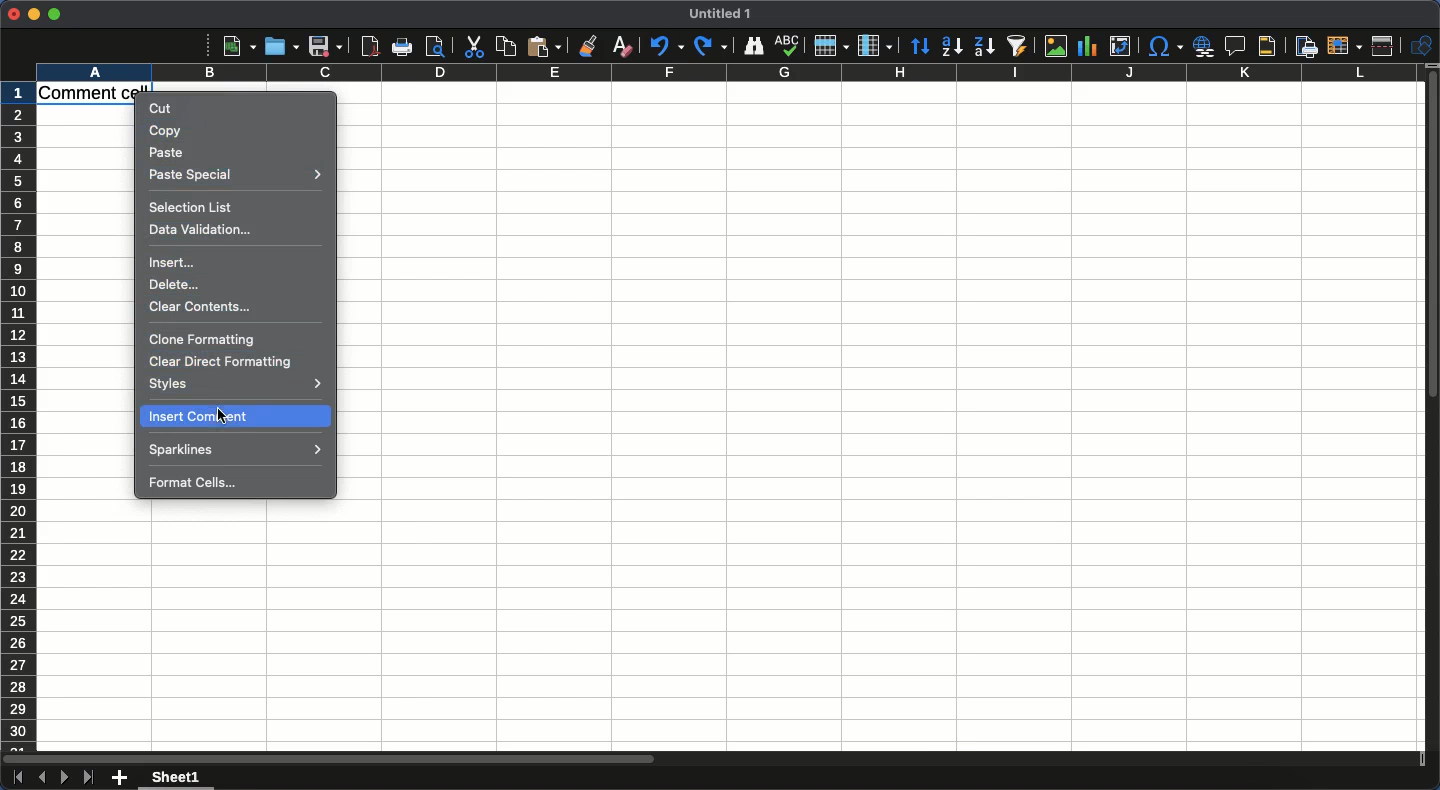 The width and height of the screenshot is (1440, 790). What do you see at coordinates (367, 46) in the screenshot?
I see `Export as PDF` at bounding box center [367, 46].